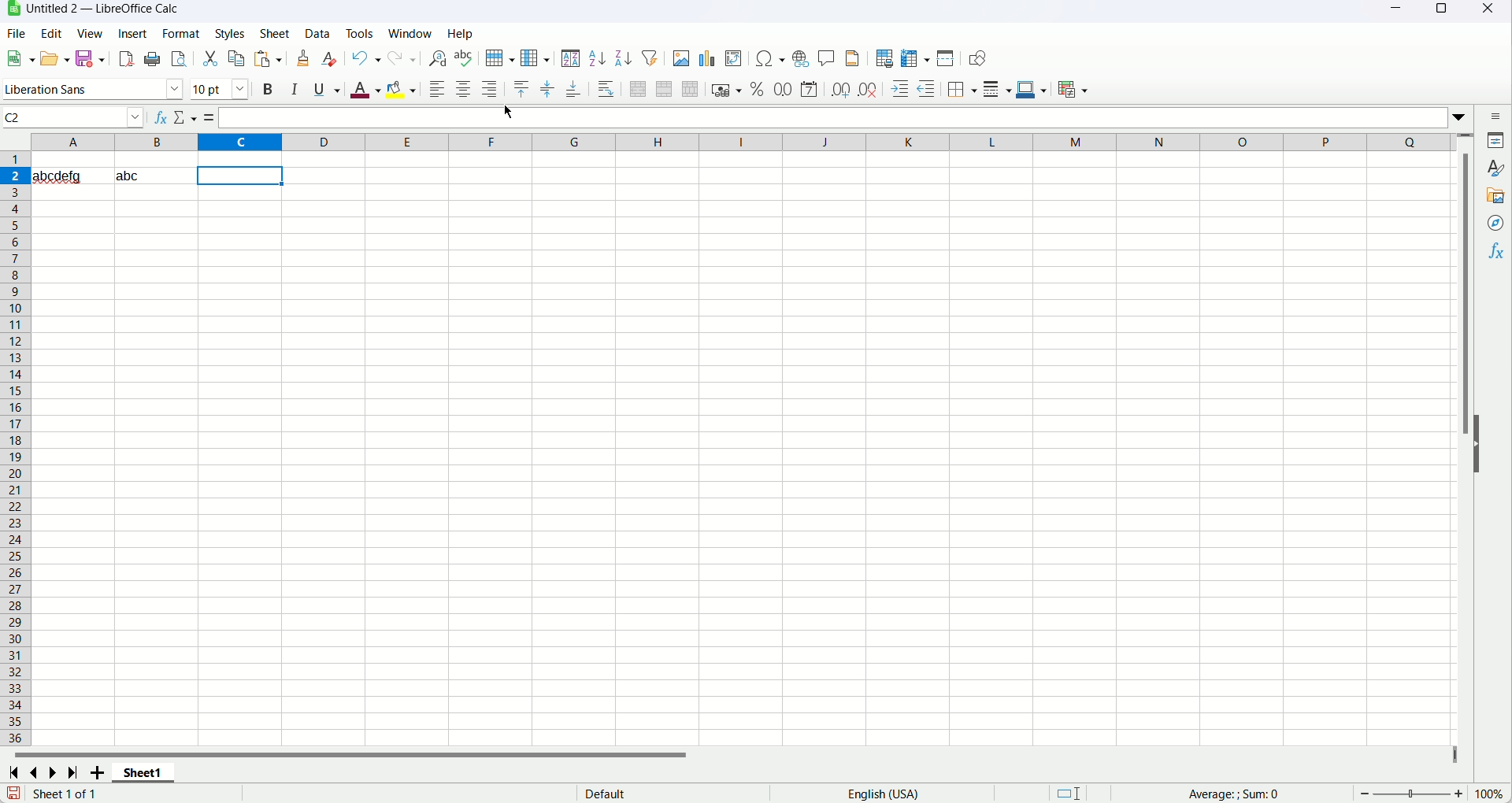 The image size is (1512, 803). I want to click on merge and center, so click(638, 88).